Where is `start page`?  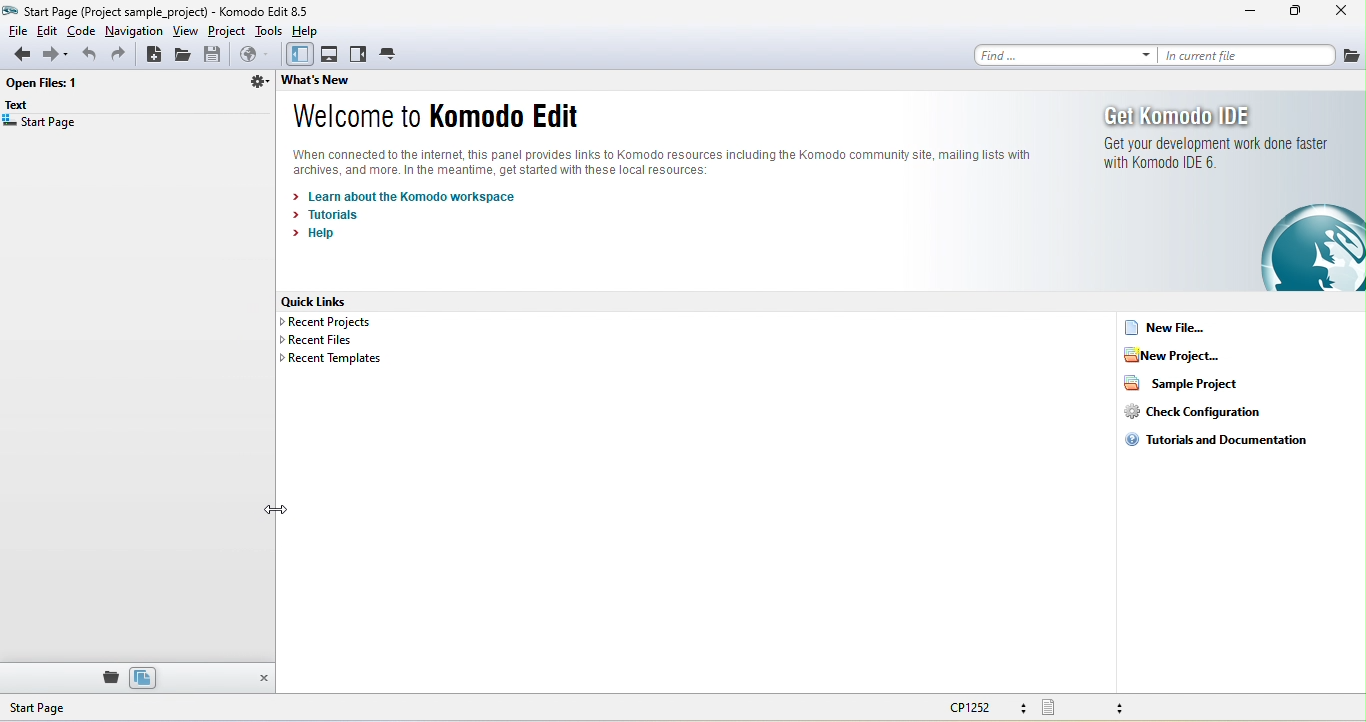 start page is located at coordinates (41, 125).